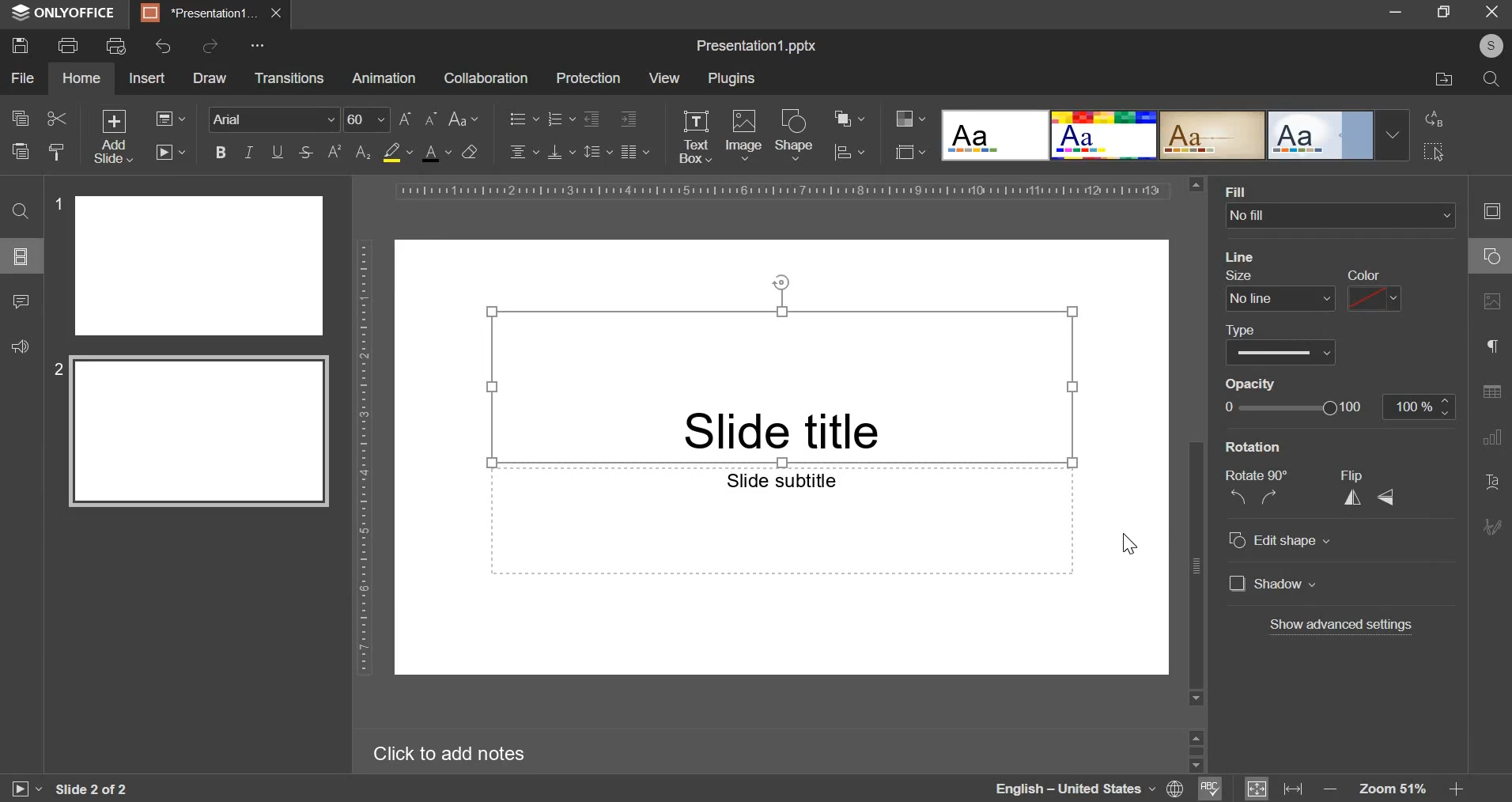  Describe the element at coordinates (67, 44) in the screenshot. I see `print` at that location.